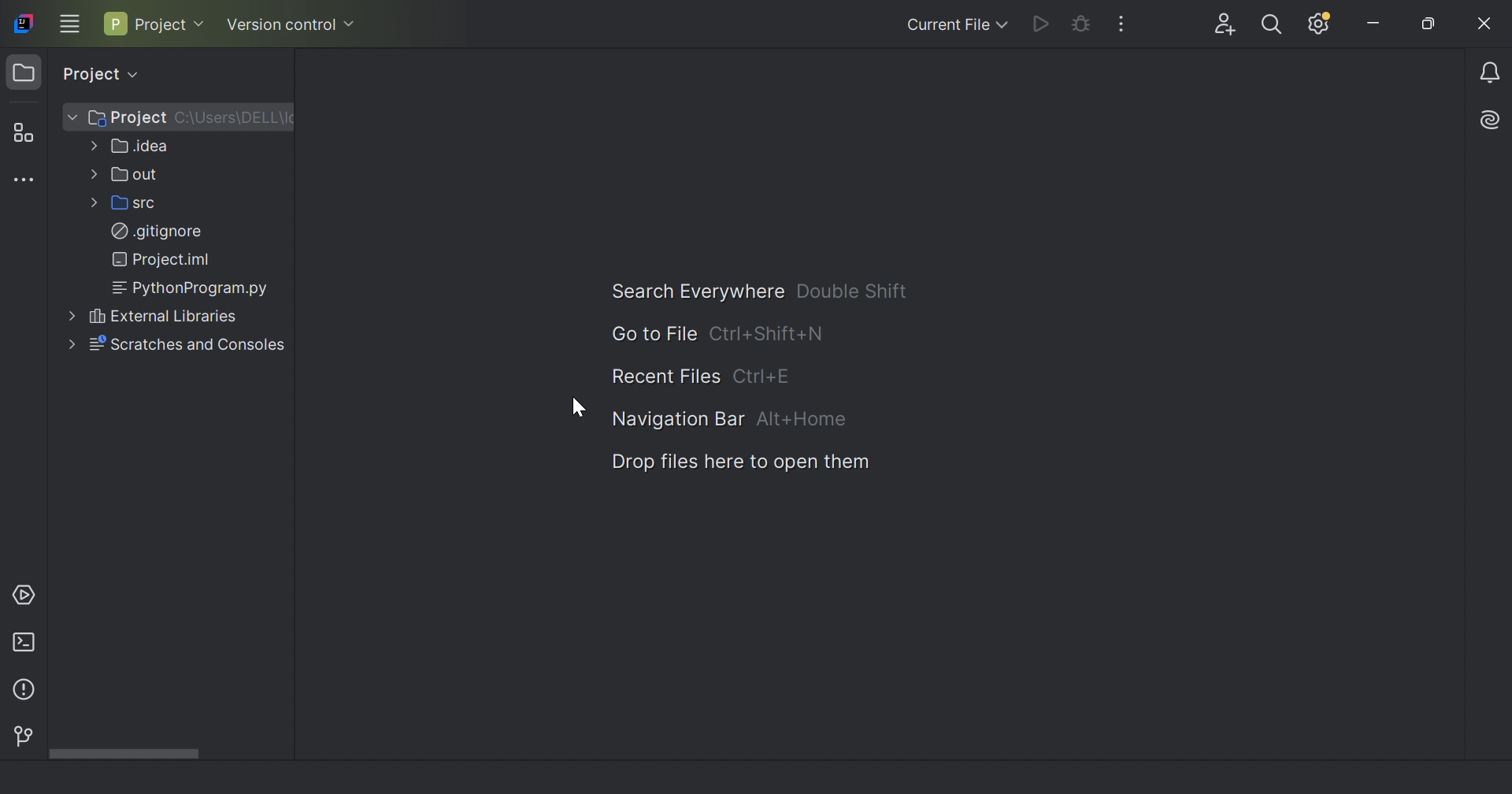  What do you see at coordinates (128, 175) in the screenshot?
I see `out` at bounding box center [128, 175].